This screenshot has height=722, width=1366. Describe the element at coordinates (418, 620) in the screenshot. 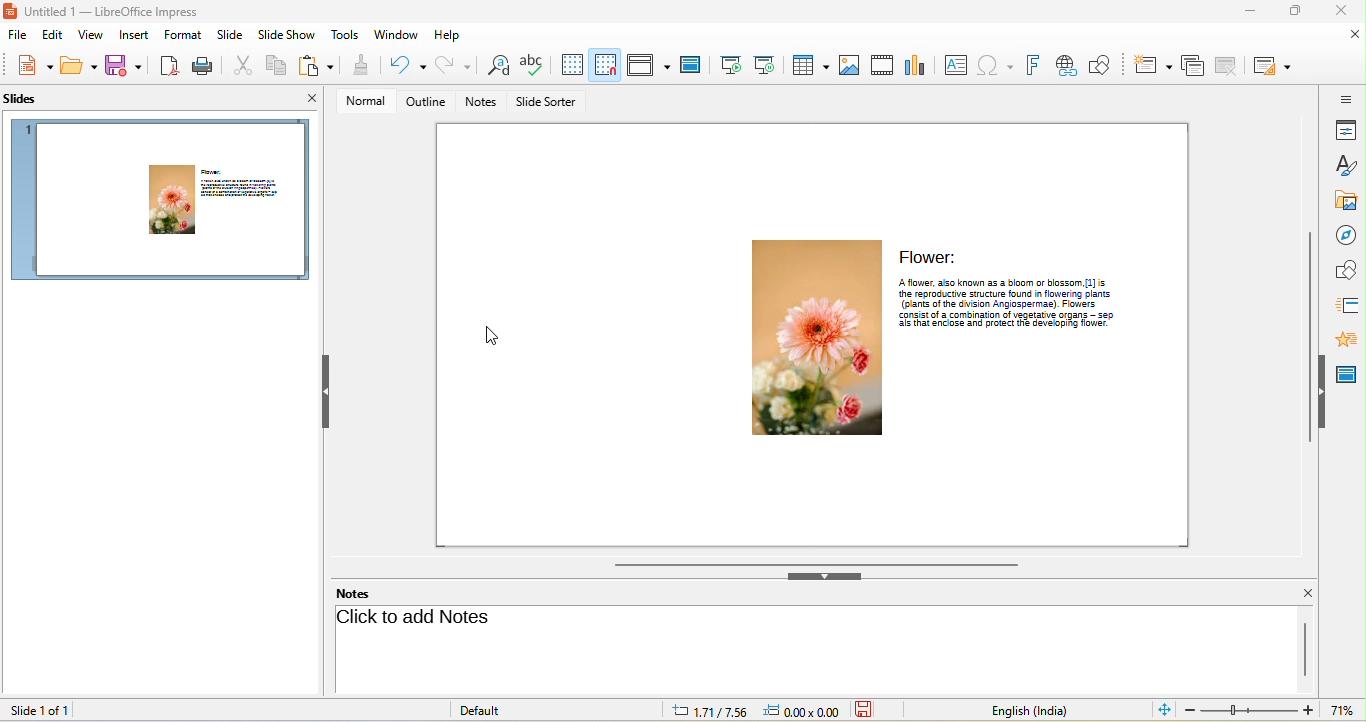

I see `click to add notes` at that location.